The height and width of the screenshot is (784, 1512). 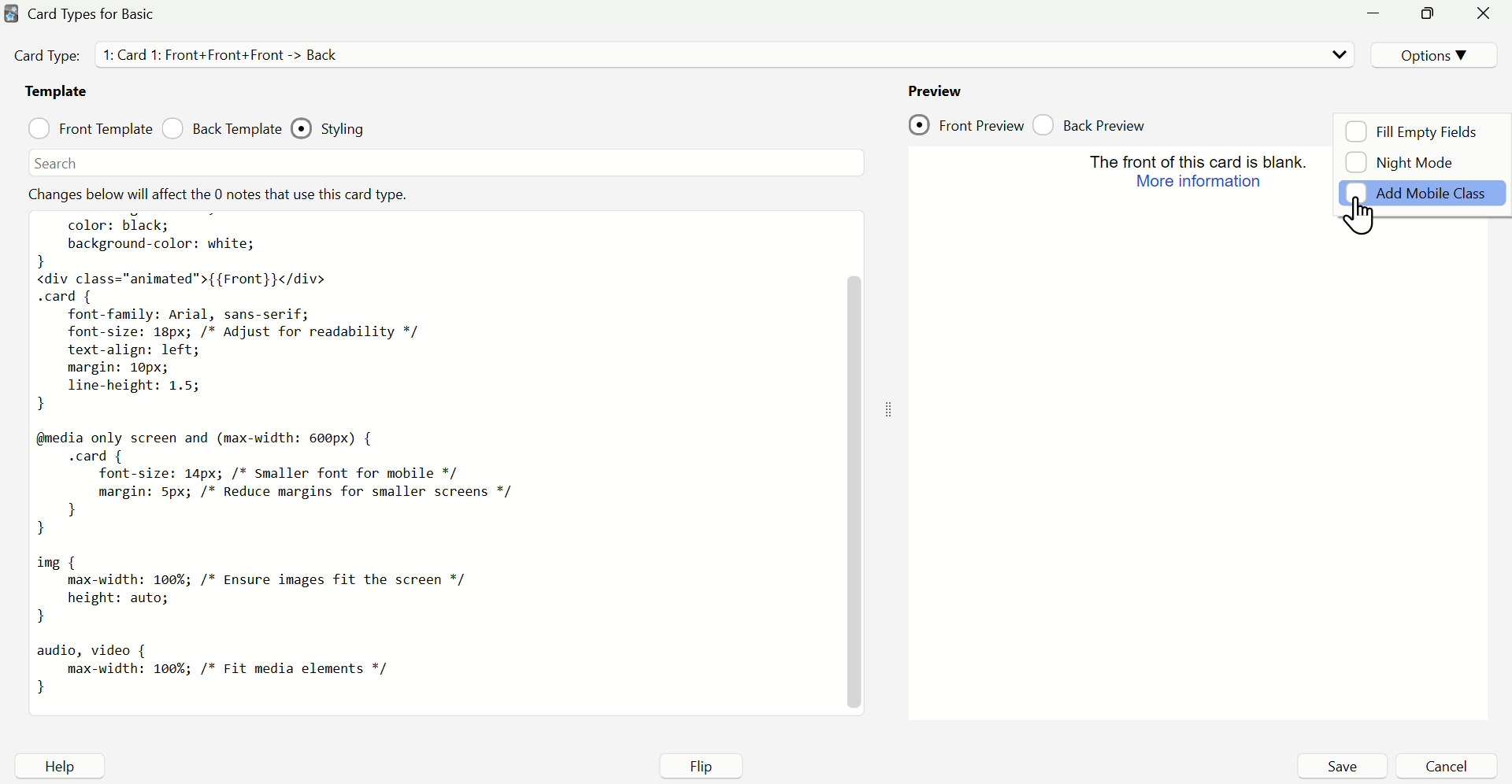 I want to click on minimize, so click(x=1428, y=15).